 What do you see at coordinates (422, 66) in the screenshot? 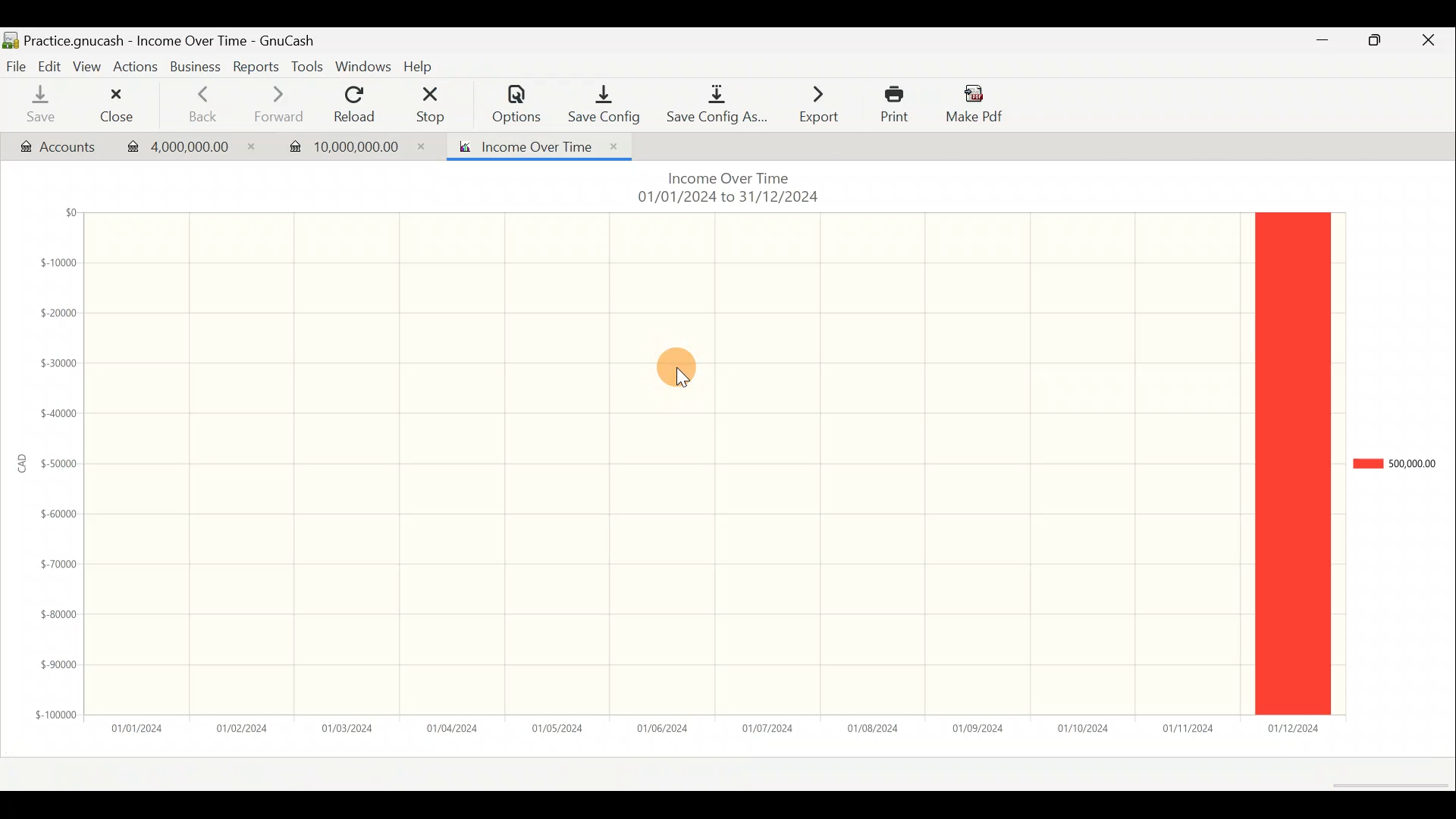
I see `Help` at bounding box center [422, 66].